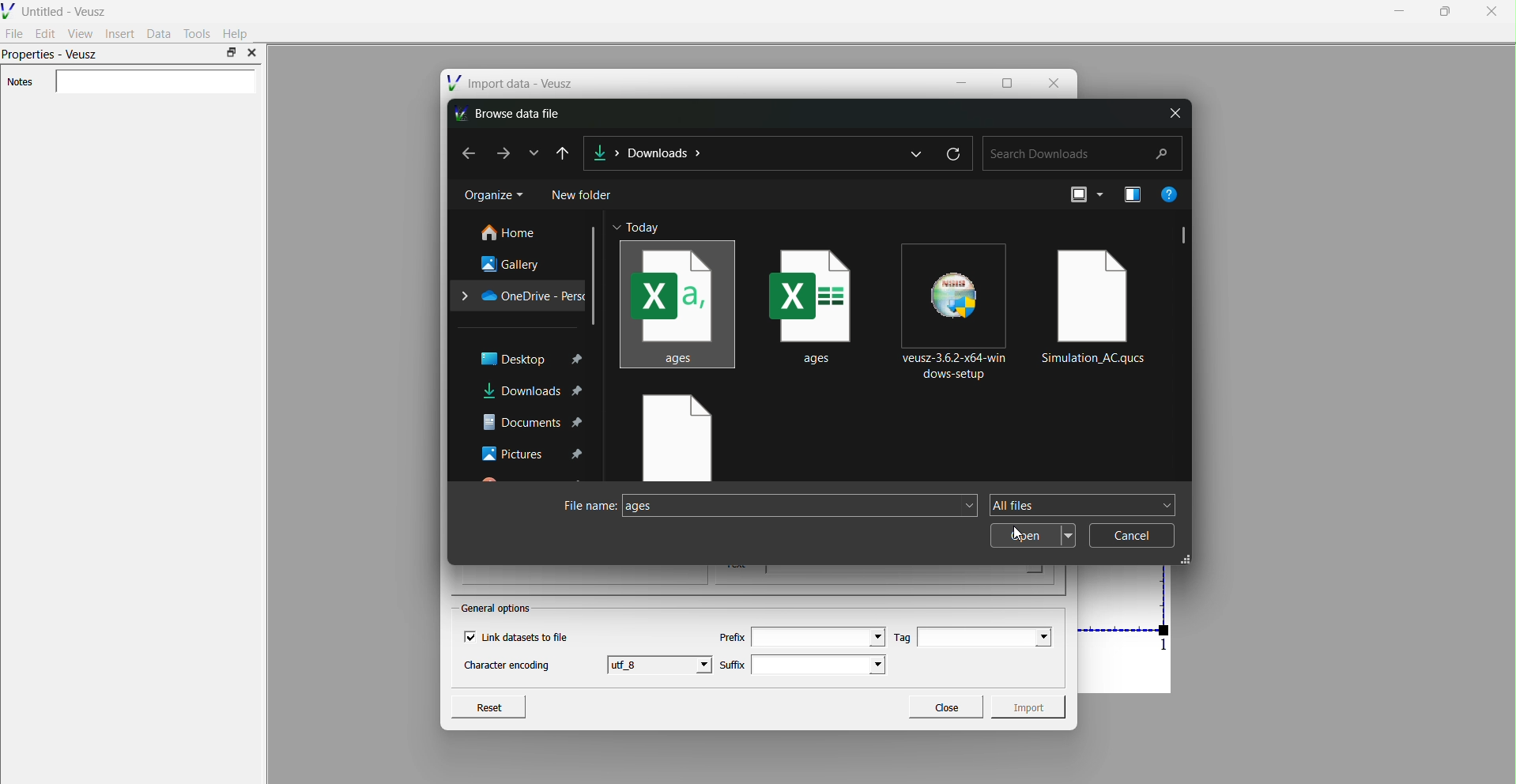 The width and height of the screenshot is (1516, 784). Describe the element at coordinates (530, 637) in the screenshot. I see `Link datasets to file` at that location.